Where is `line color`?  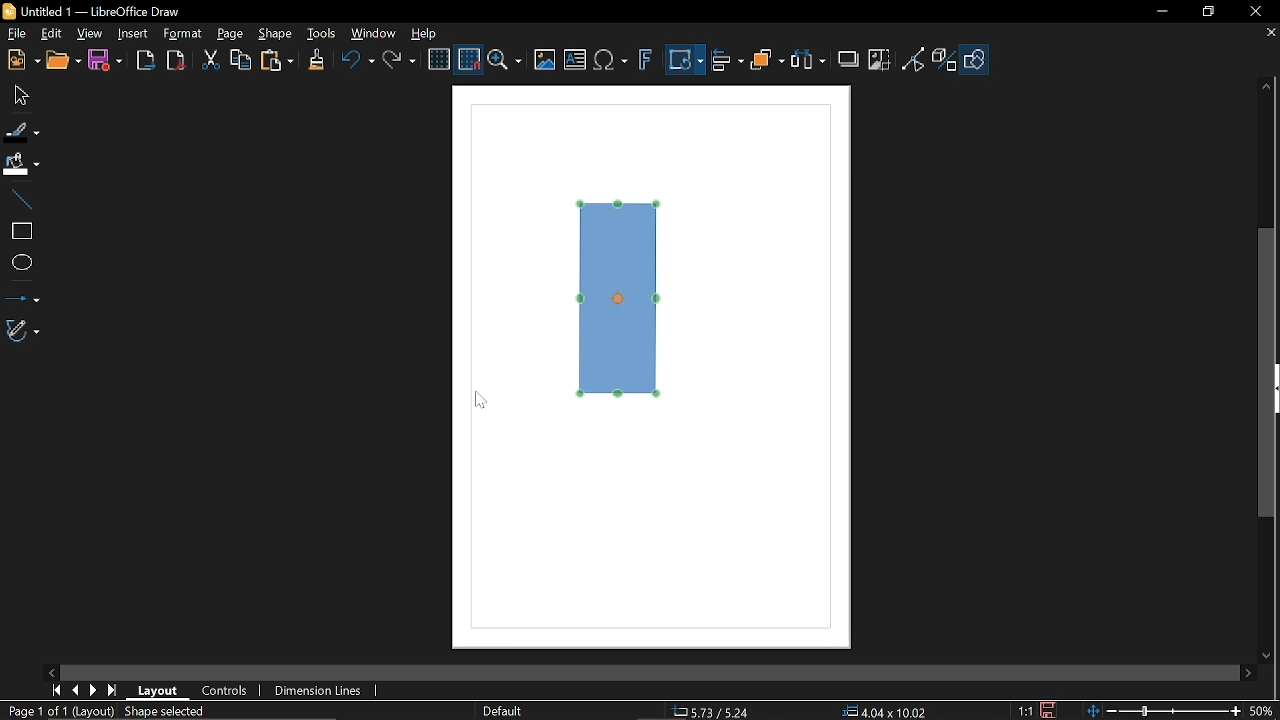 line color is located at coordinates (21, 128).